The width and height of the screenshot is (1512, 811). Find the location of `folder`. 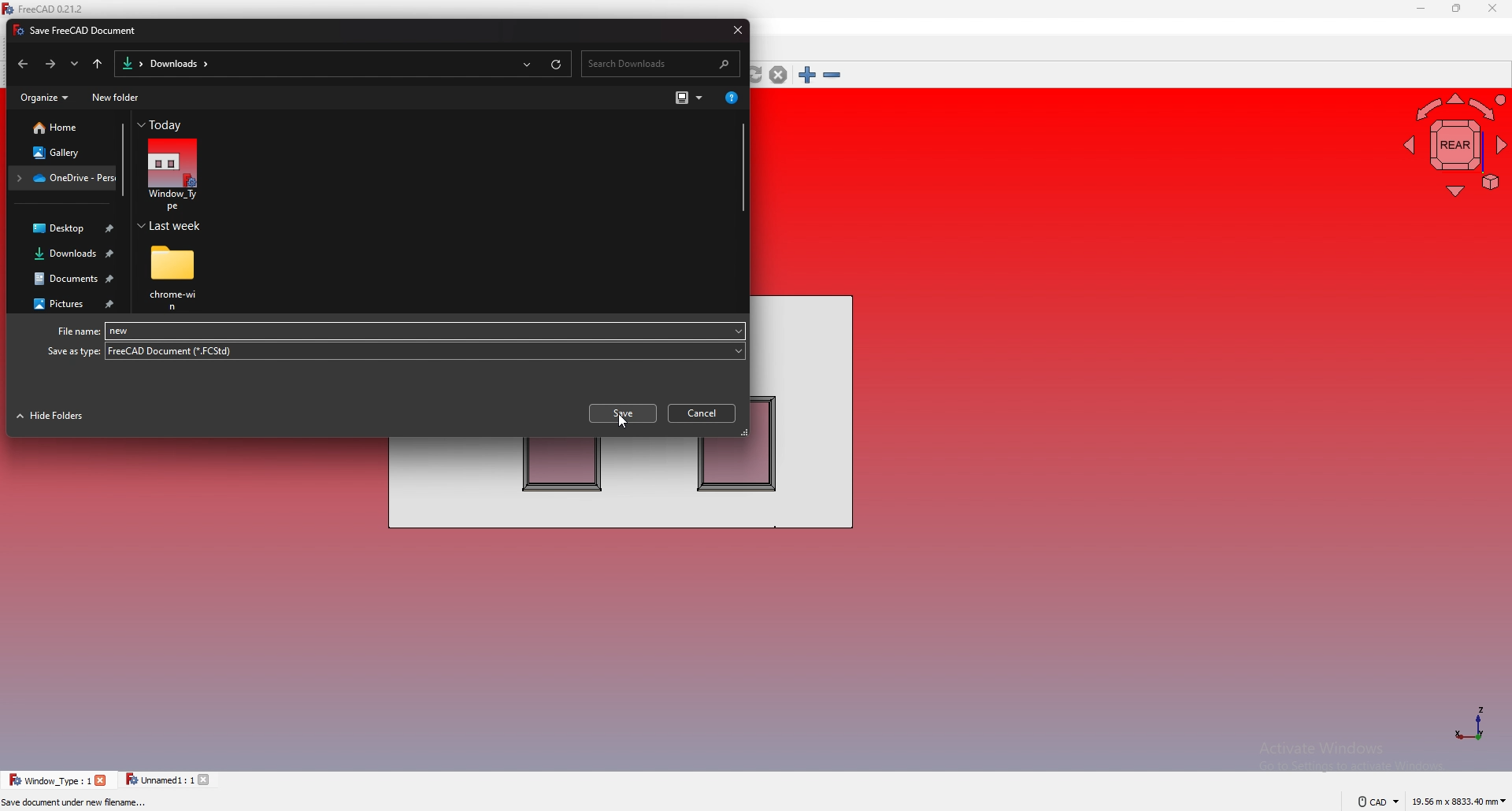

folder is located at coordinates (129, 63).